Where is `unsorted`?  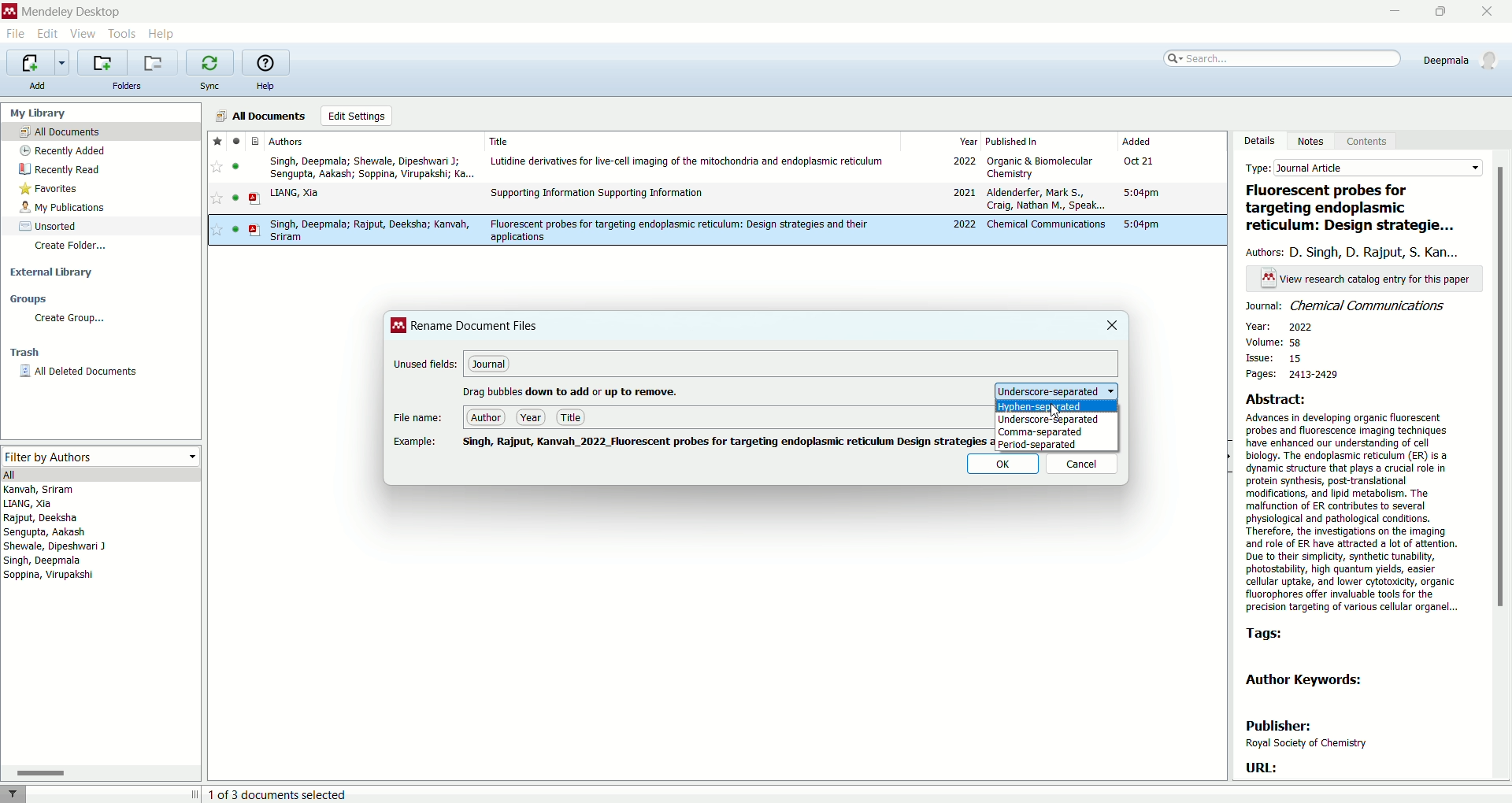
unsorted is located at coordinates (45, 227).